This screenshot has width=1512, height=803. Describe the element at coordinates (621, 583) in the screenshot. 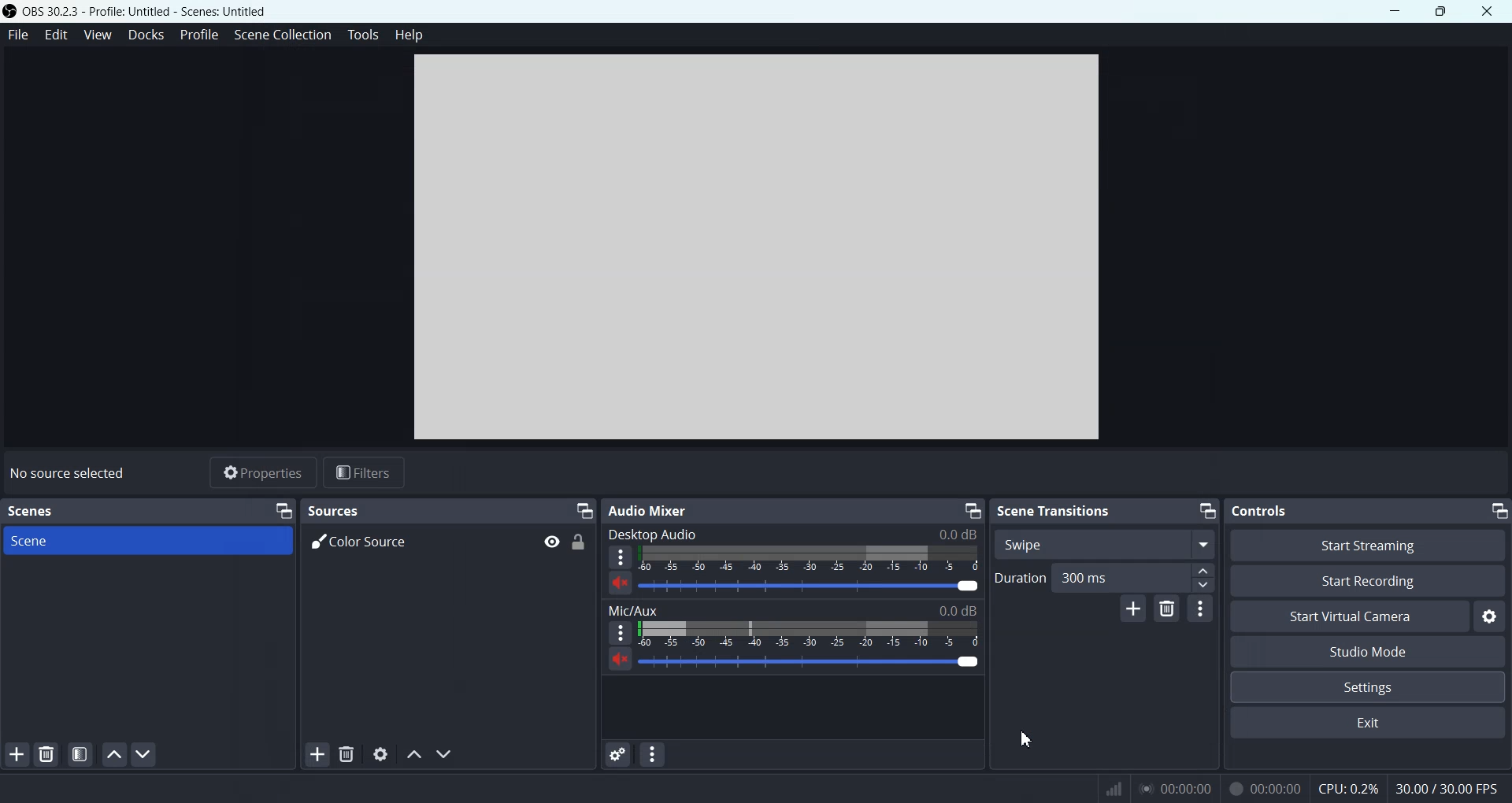

I see `Mute/ Unmute` at that location.